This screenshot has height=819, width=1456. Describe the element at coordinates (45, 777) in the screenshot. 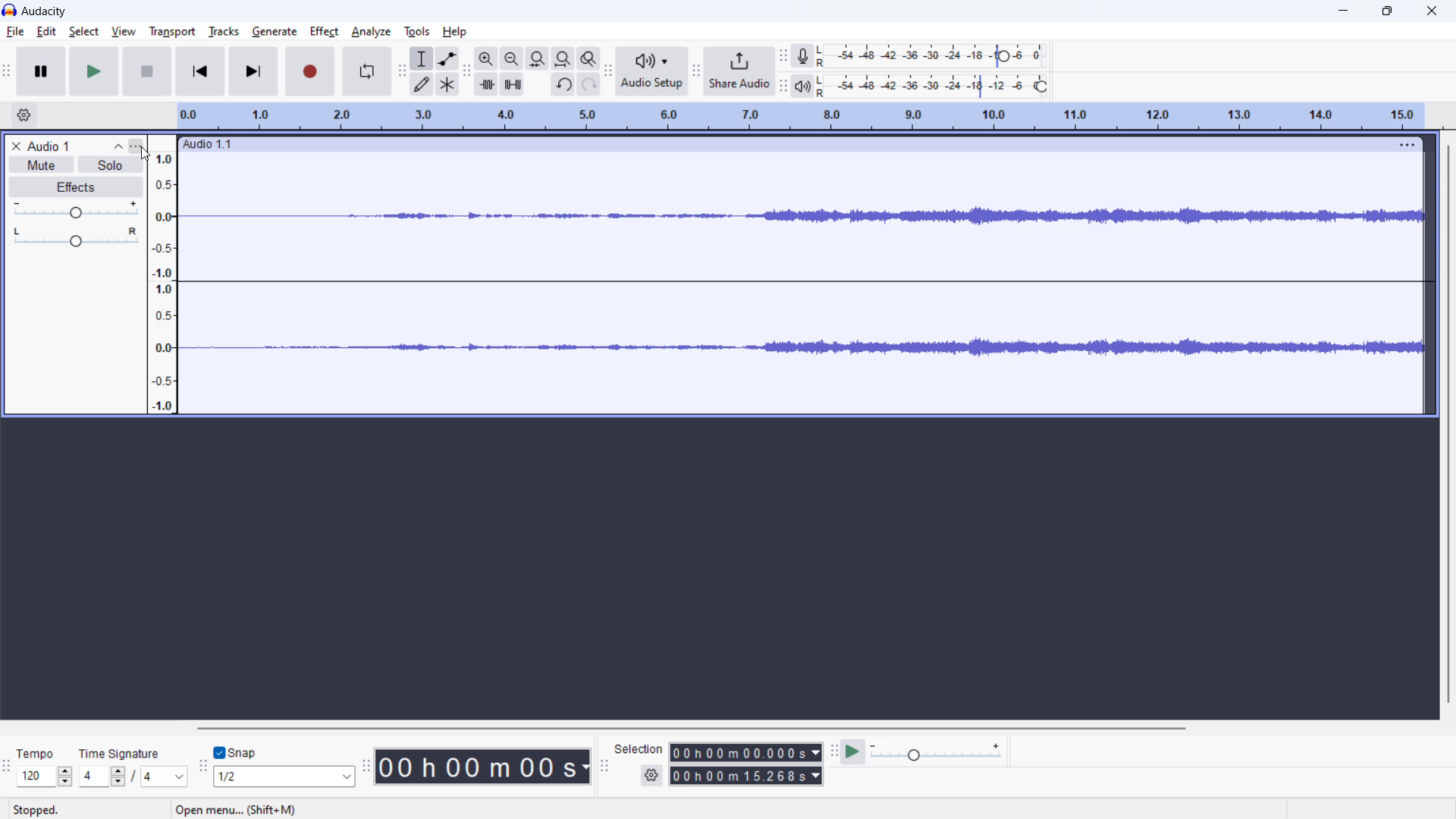

I see `set tempo` at that location.